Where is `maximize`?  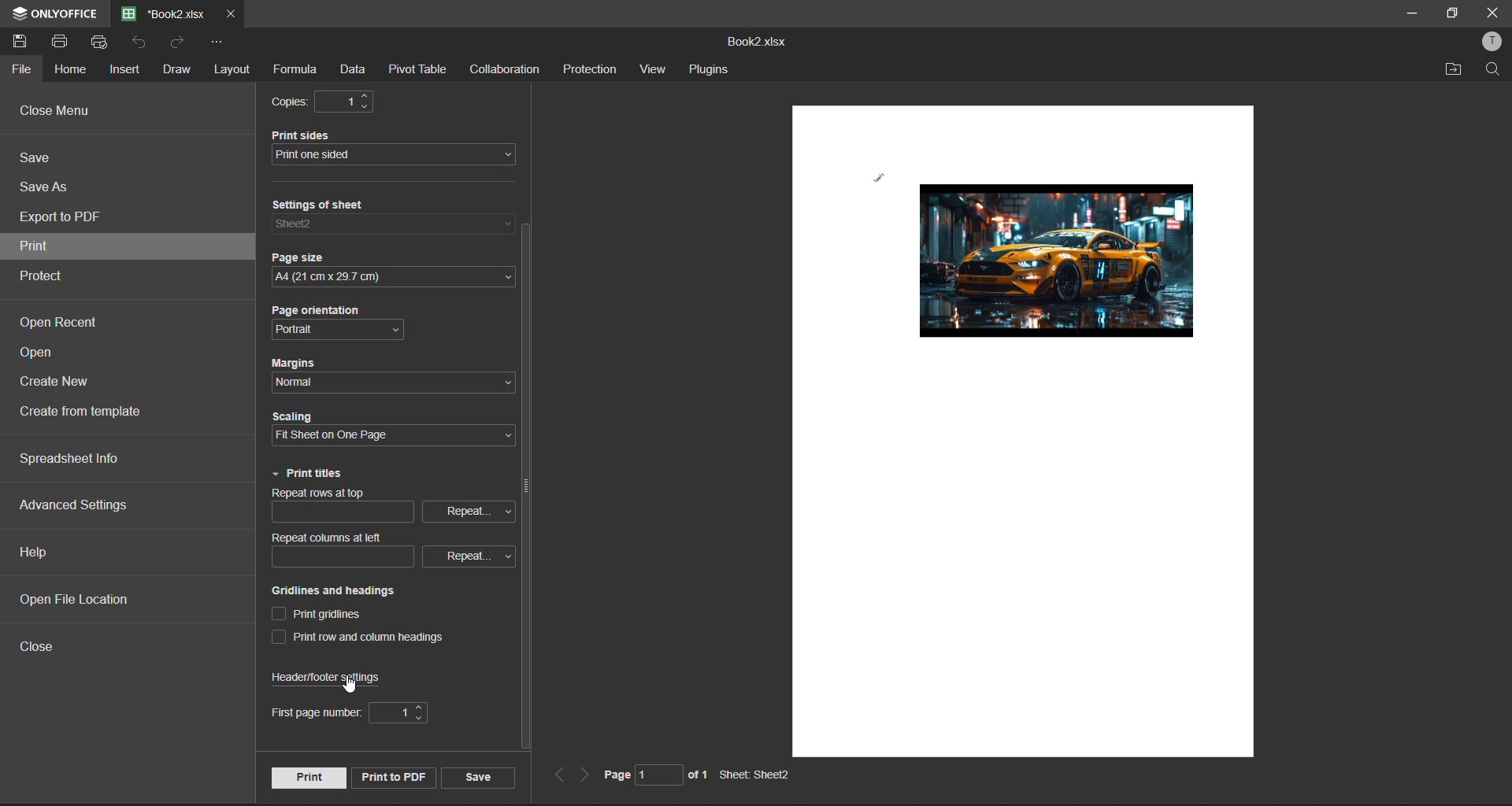 maximize is located at coordinates (1451, 13).